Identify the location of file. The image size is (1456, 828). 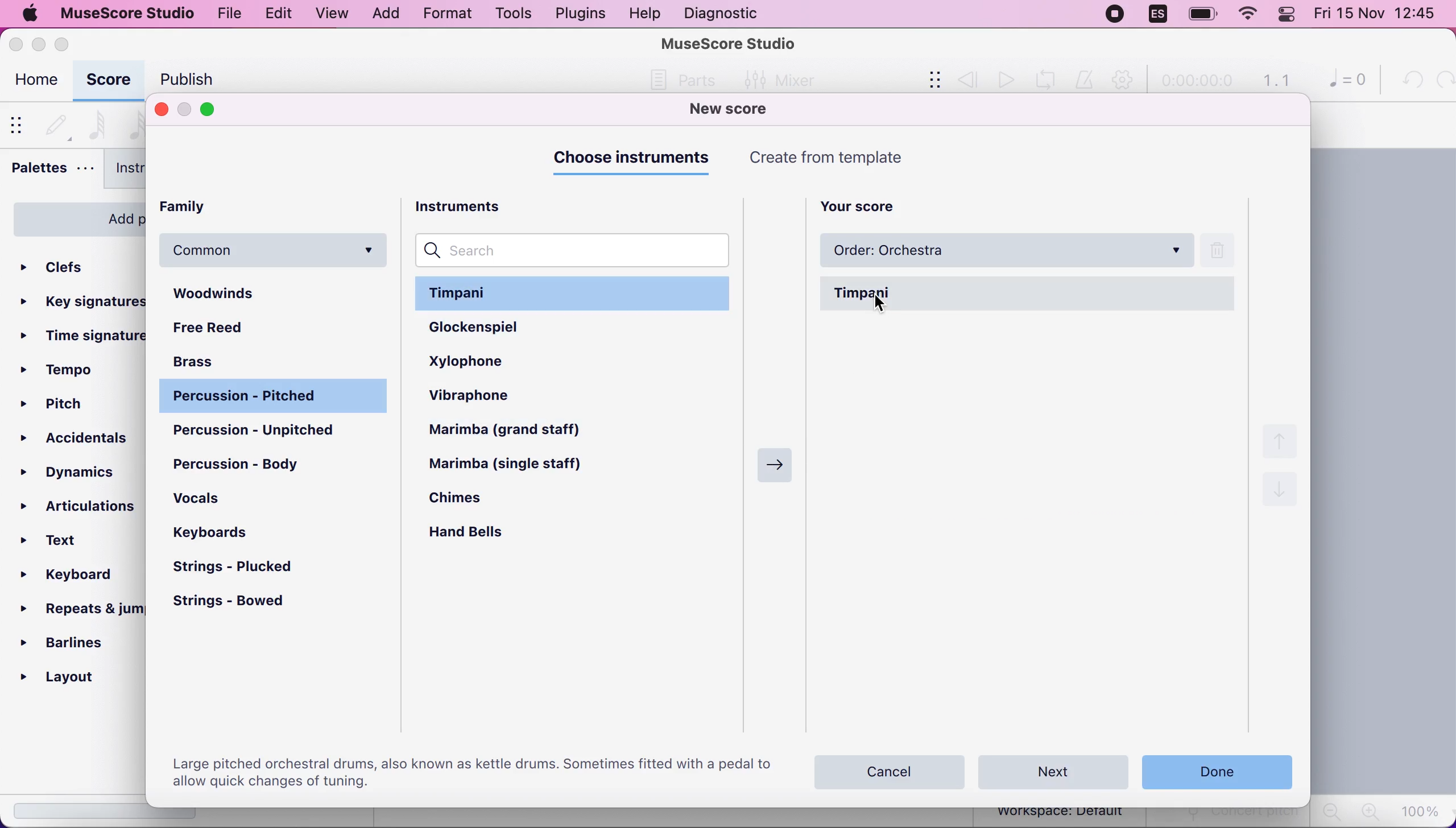
(230, 15).